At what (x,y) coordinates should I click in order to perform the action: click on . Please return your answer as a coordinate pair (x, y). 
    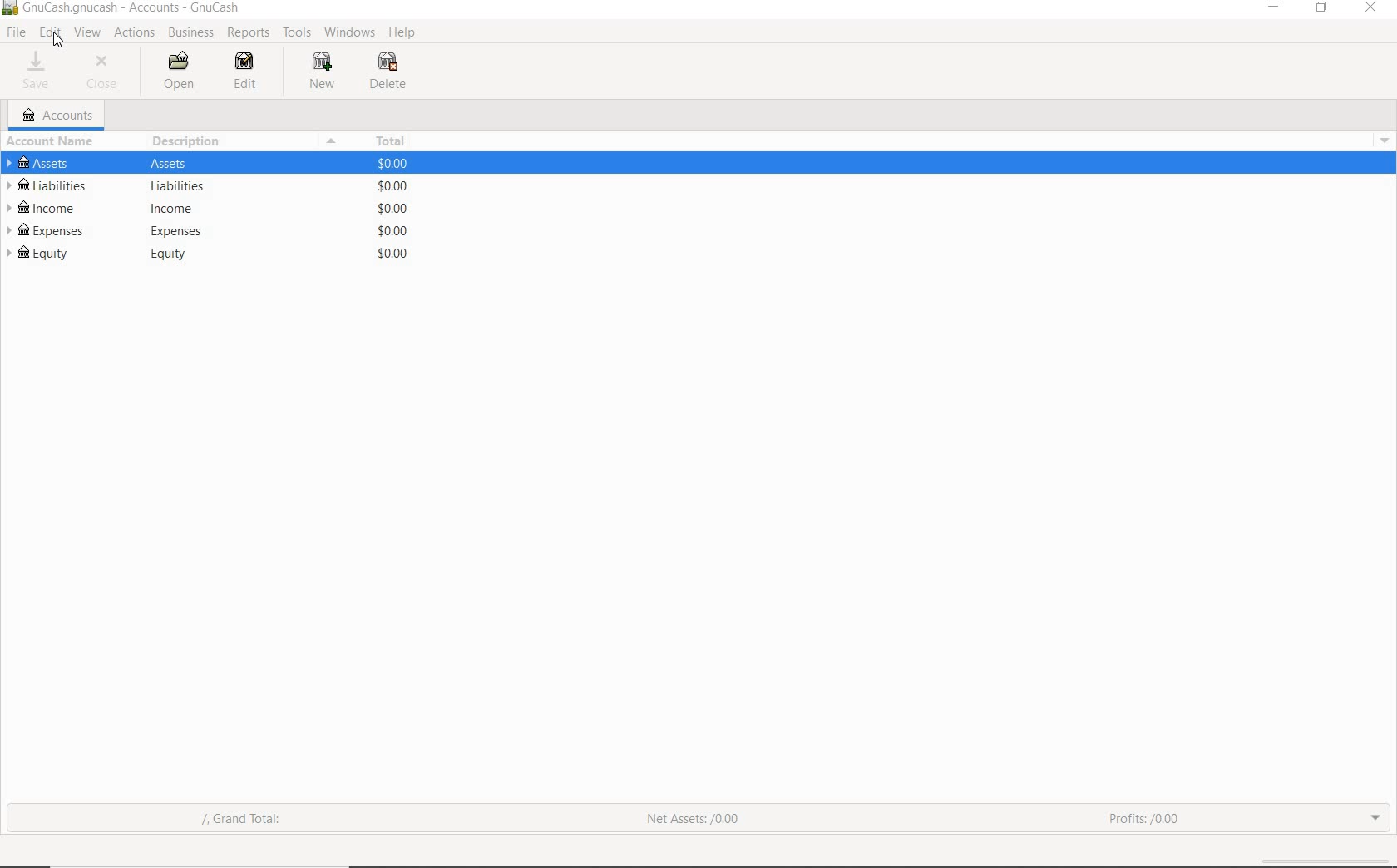
    Looking at the image, I should click on (412, 165).